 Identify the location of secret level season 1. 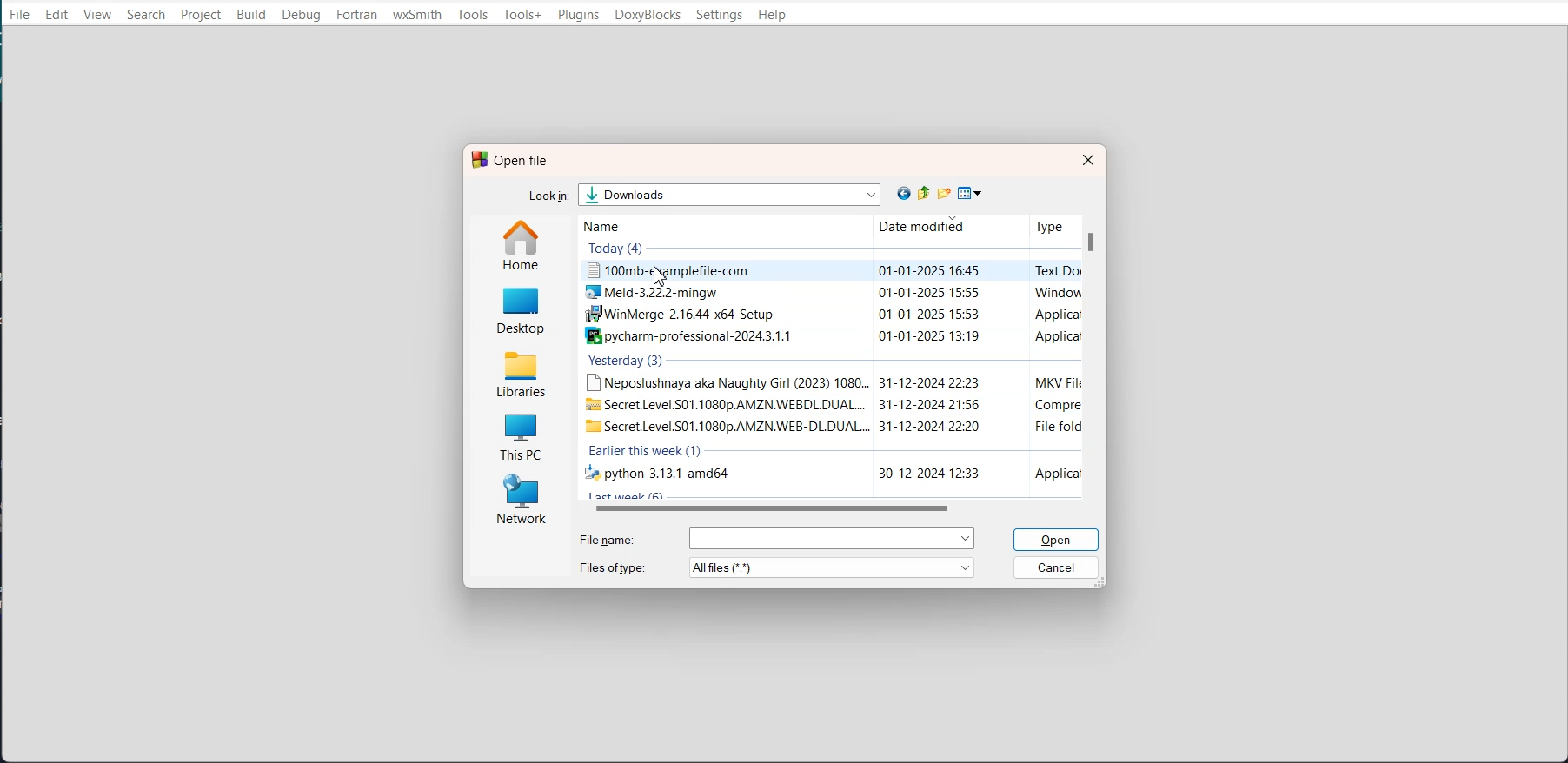
(830, 404).